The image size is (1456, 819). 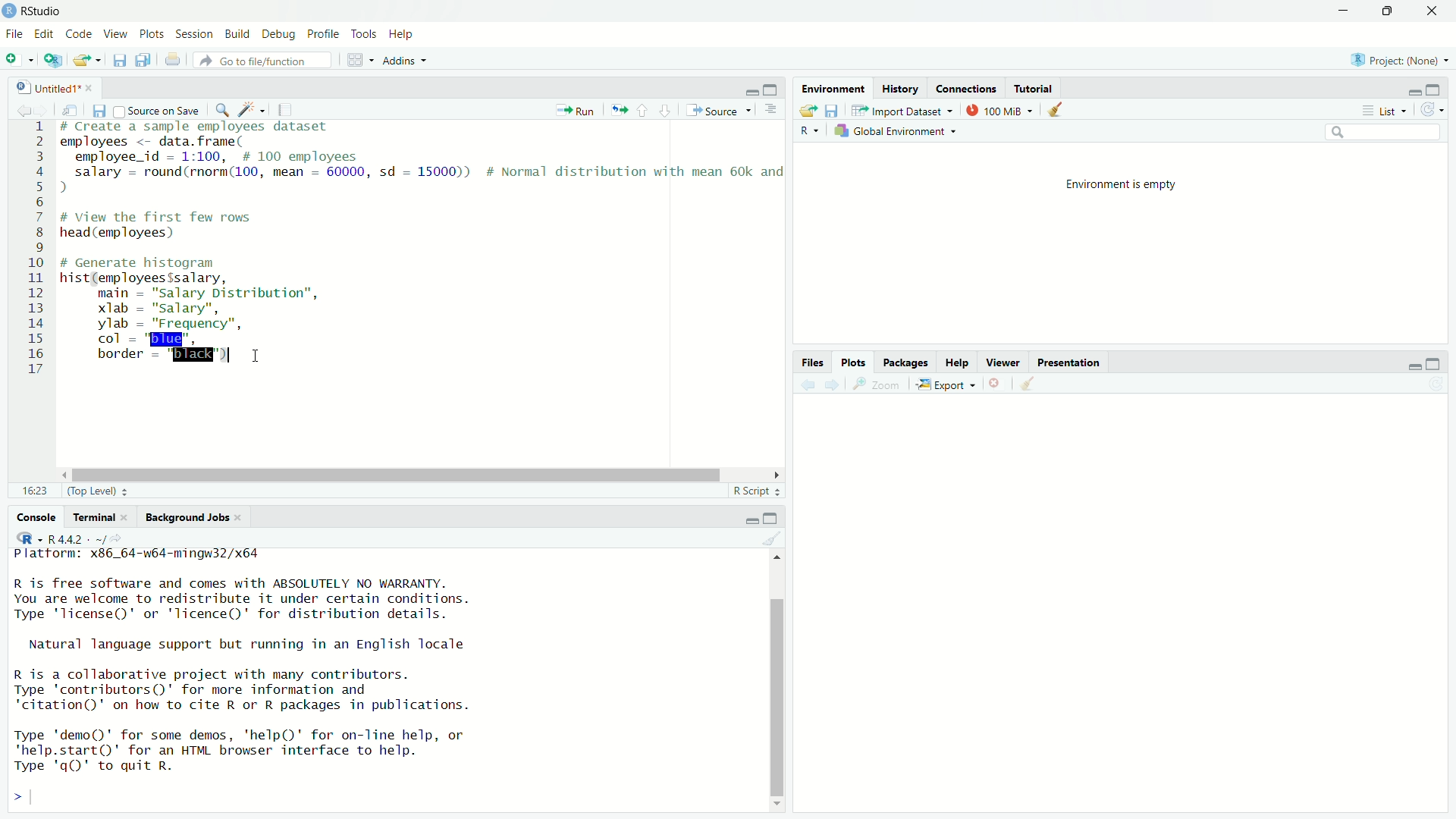 What do you see at coordinates (908, 362) in the screenshot?
I see `Packages` at bounding box center [908, 362].